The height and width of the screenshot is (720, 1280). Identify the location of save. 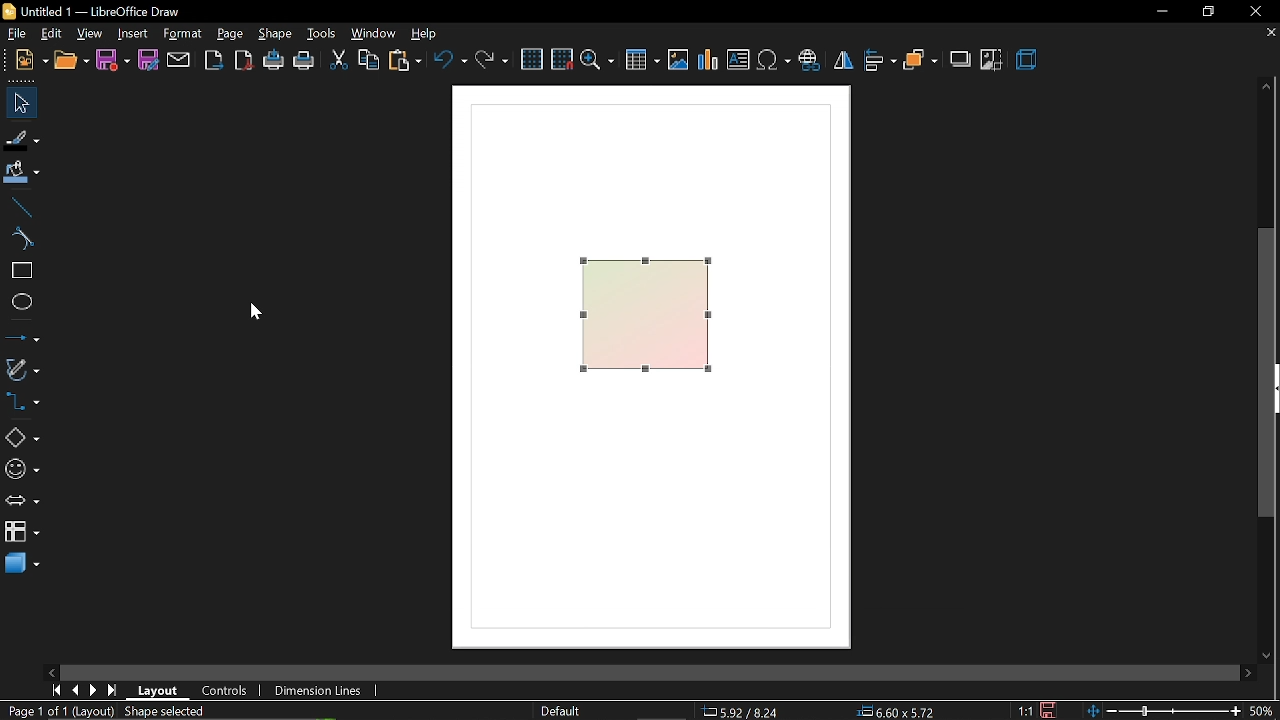
(1046, 710).